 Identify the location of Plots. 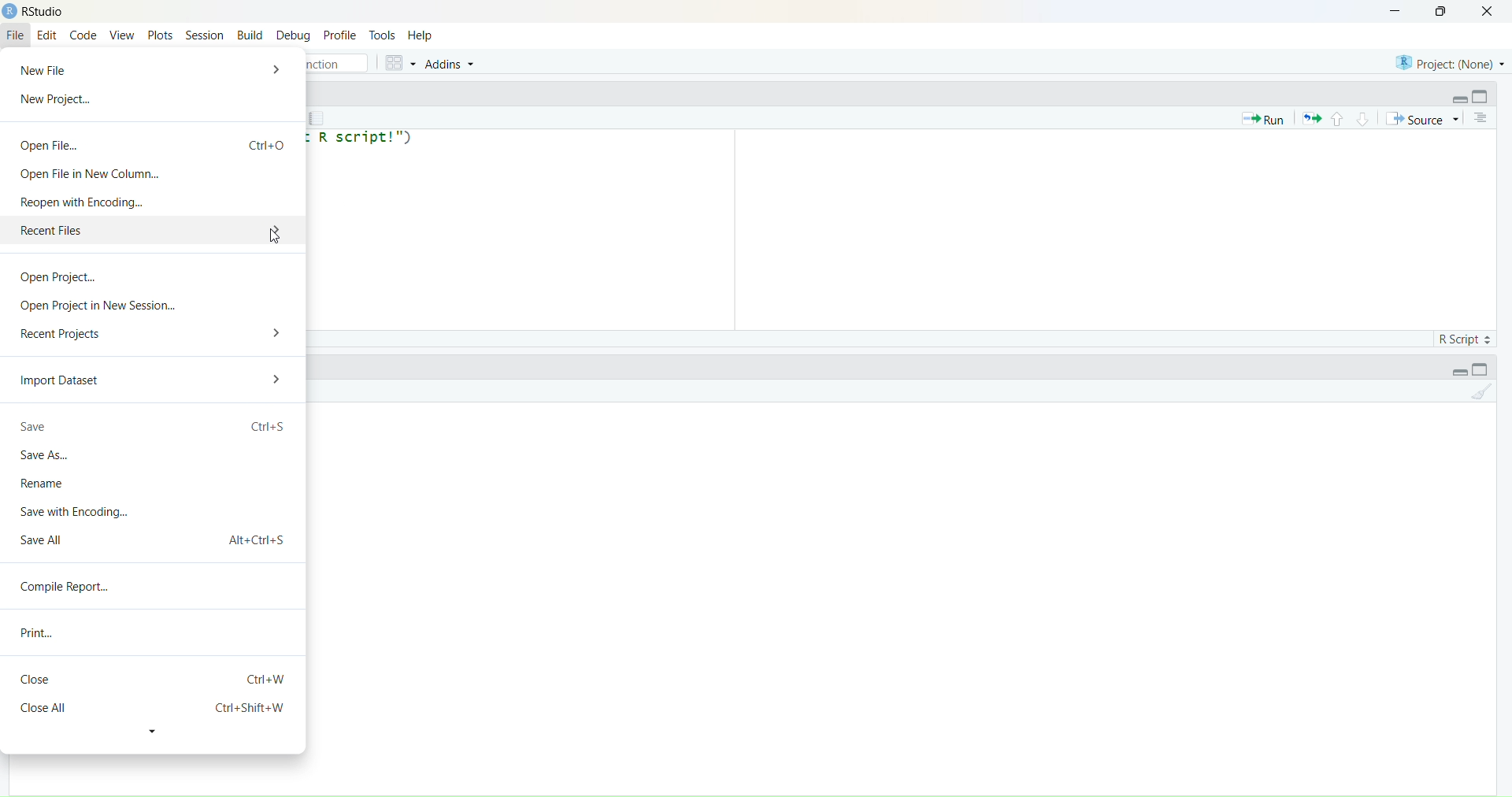
(159, 35).